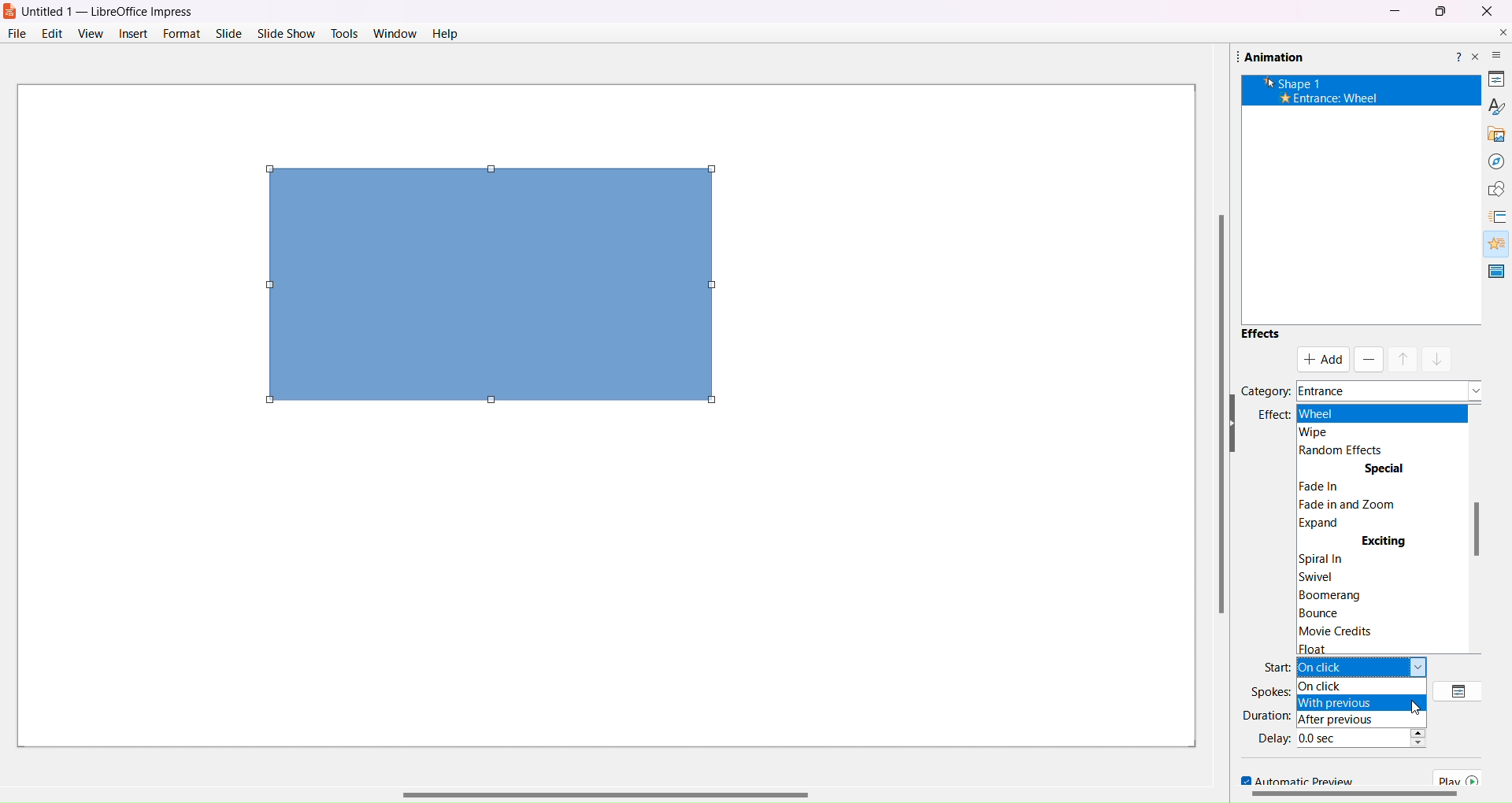  I want to click on Minimize, so click(1394, 10).